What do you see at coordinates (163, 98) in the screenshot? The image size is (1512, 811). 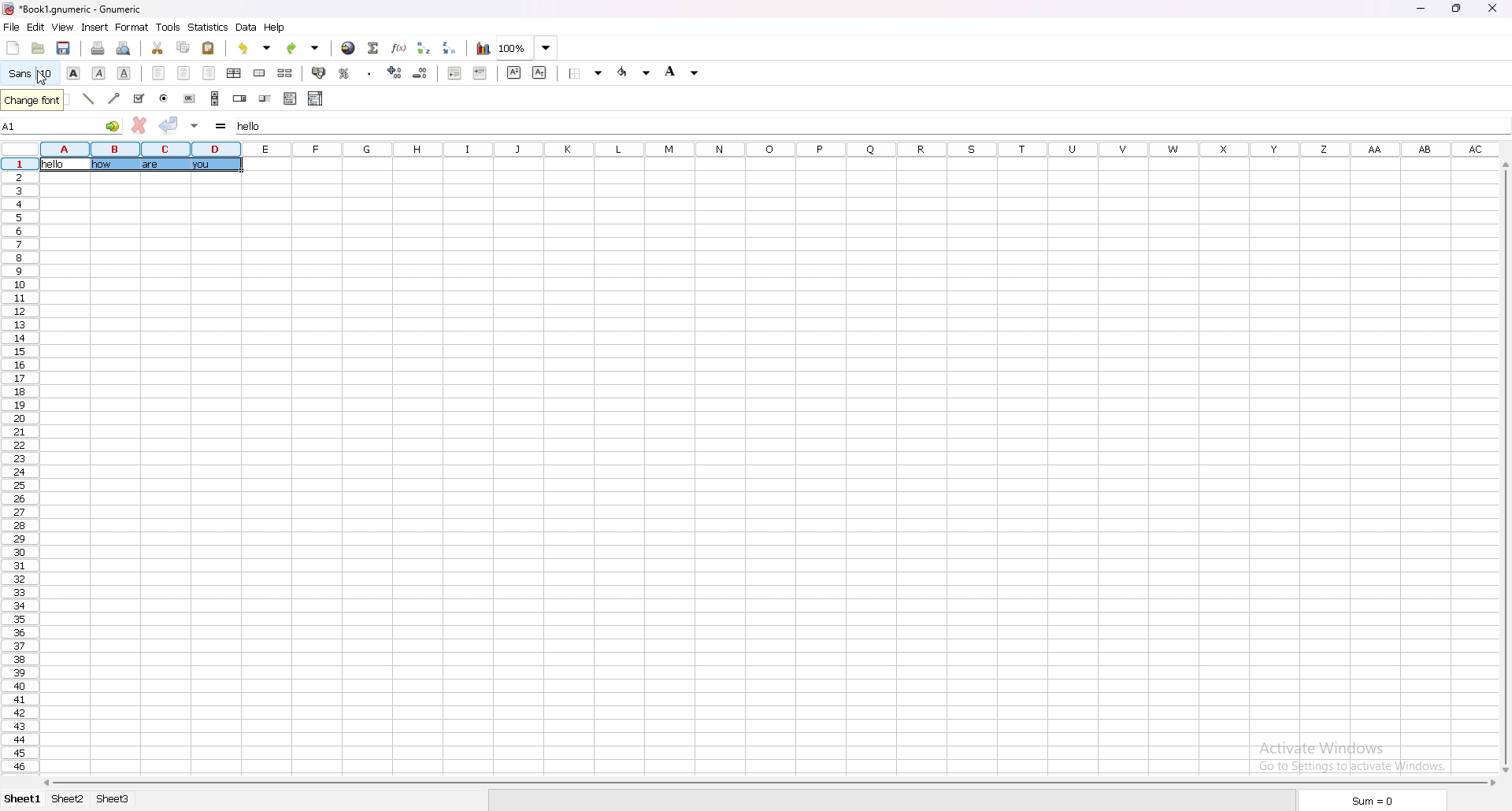 I see `radio button` at bounding box center [163, 98].